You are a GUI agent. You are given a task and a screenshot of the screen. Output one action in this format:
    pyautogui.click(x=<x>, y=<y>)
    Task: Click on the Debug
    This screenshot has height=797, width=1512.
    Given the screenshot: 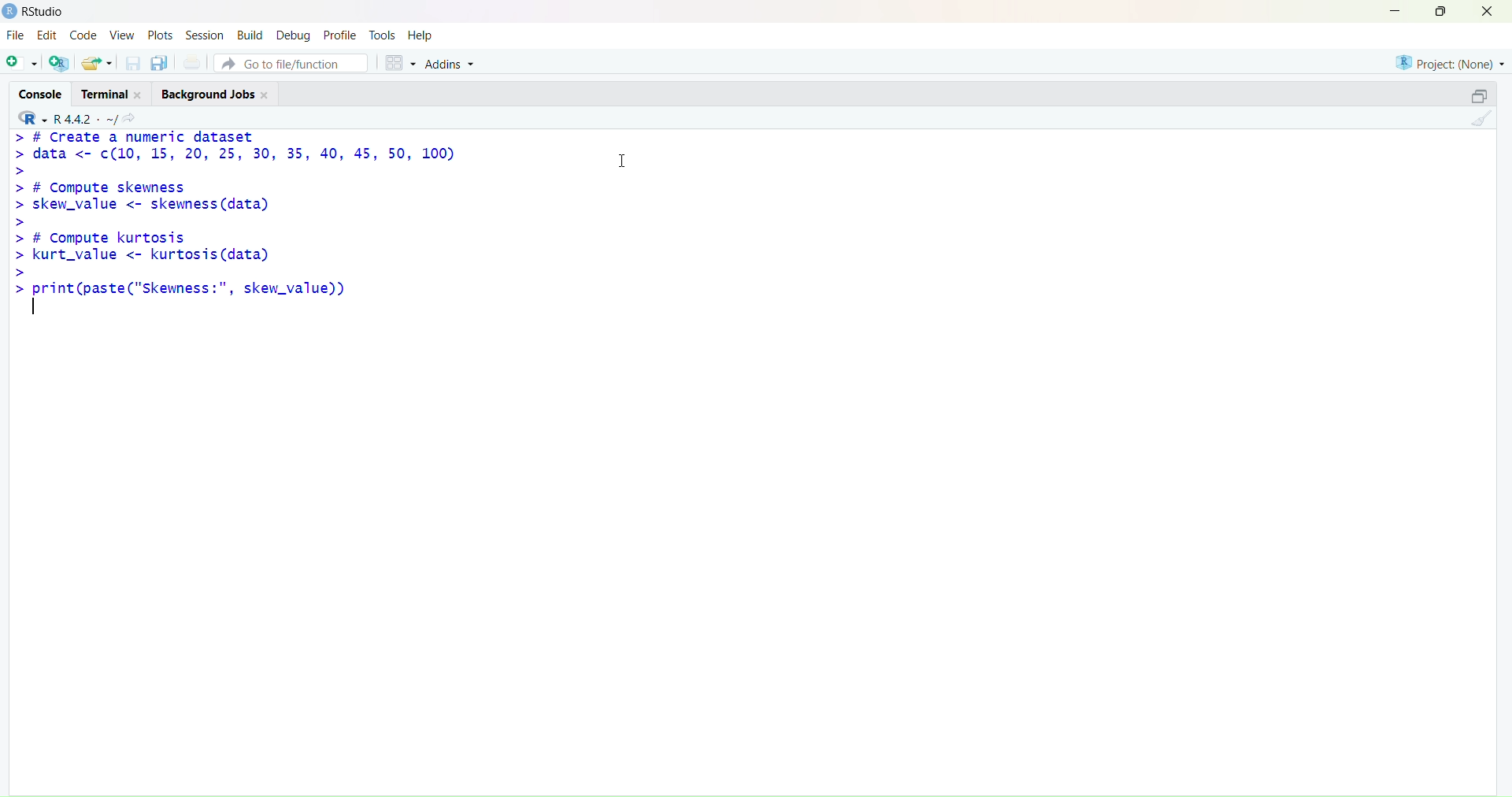 What is the action you would take?
    pyautogui.click(x=294, y=34)
    